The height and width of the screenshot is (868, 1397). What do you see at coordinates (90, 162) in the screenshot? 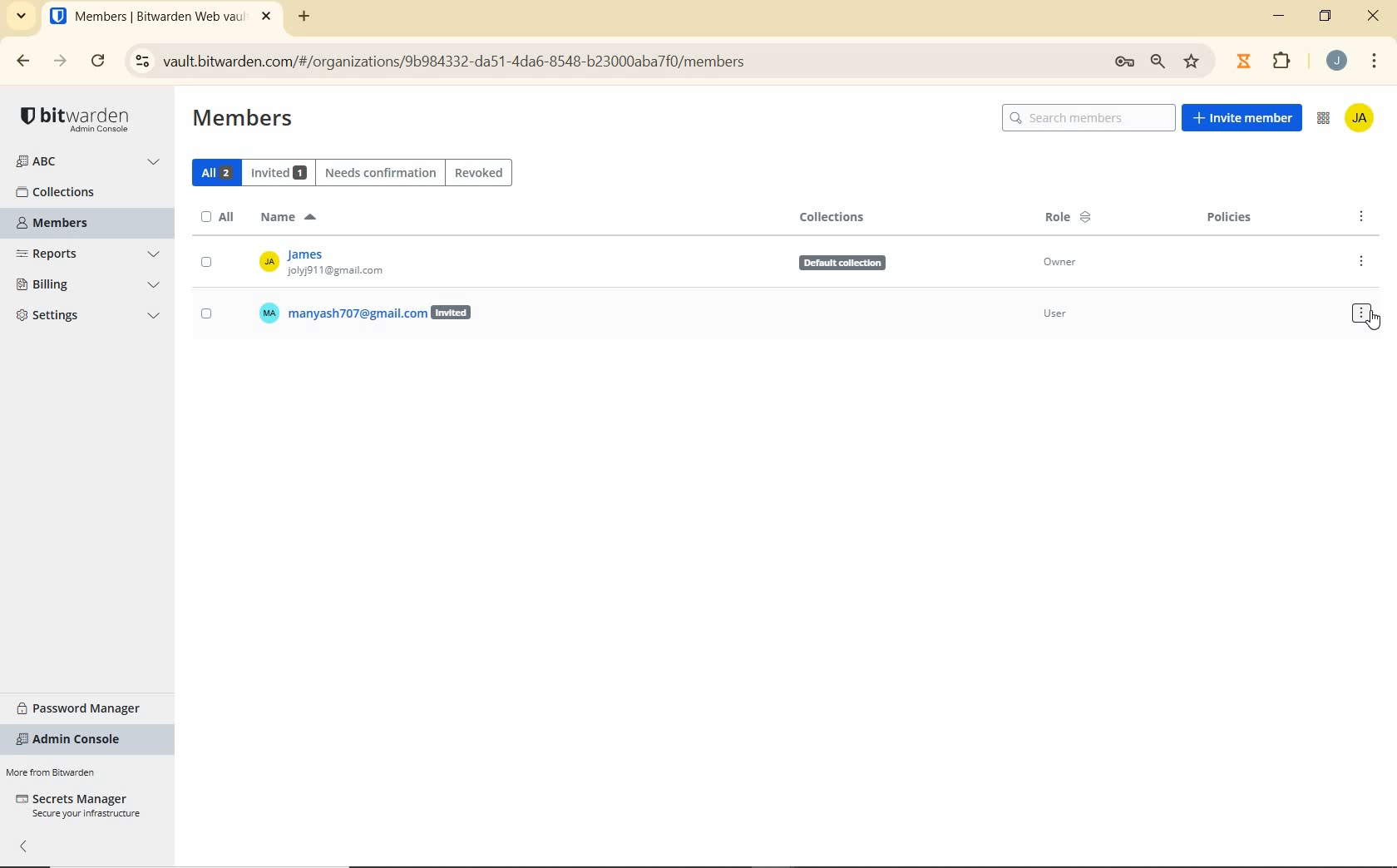
I see `ORGANIZATION NAME` at bounding box center [90, 162].